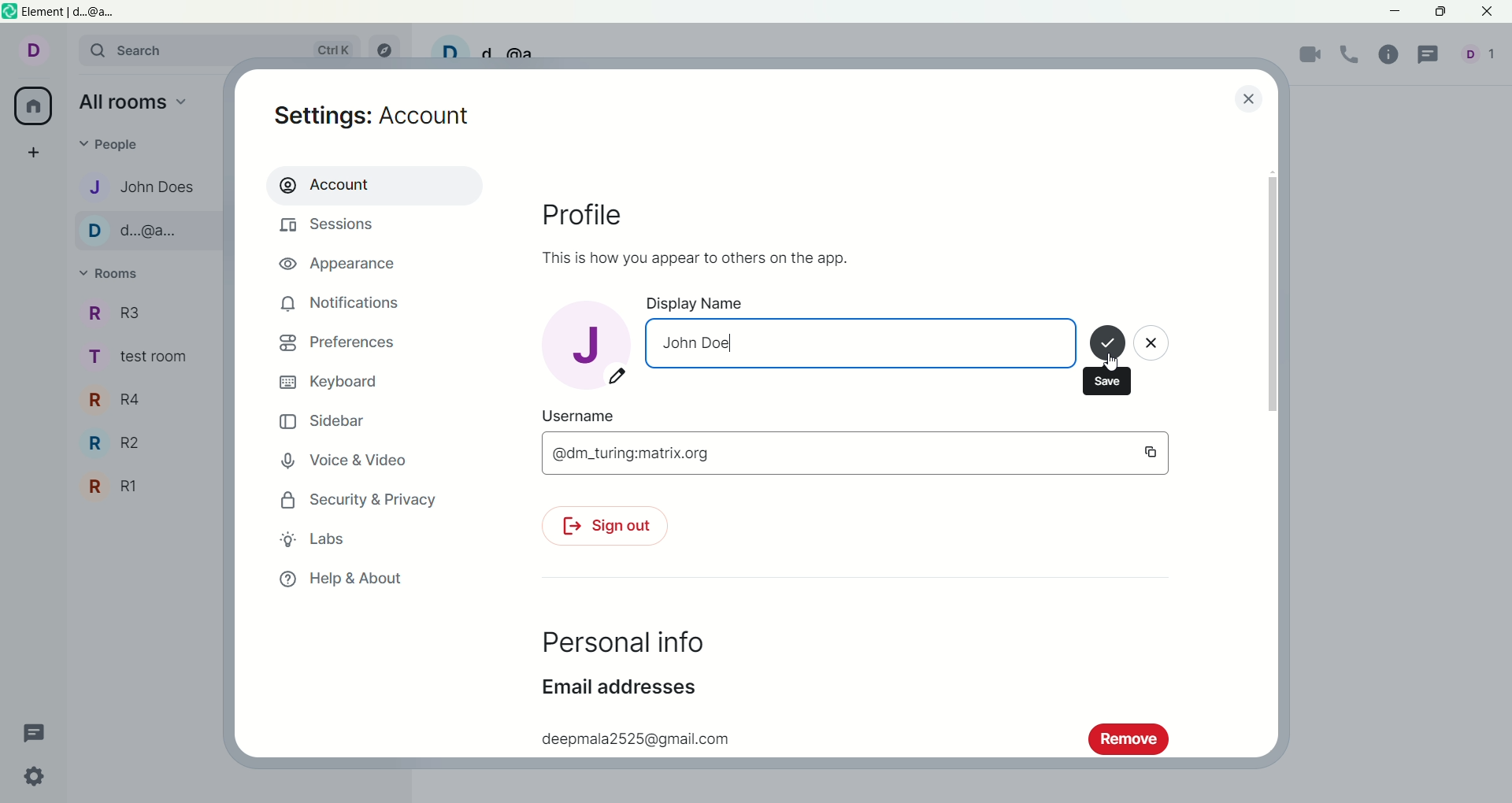 The width and height of the screenshot is (1512, 803). Describe the element at coordinates (314, 538) in the screenshot. I see `labs` at that location.